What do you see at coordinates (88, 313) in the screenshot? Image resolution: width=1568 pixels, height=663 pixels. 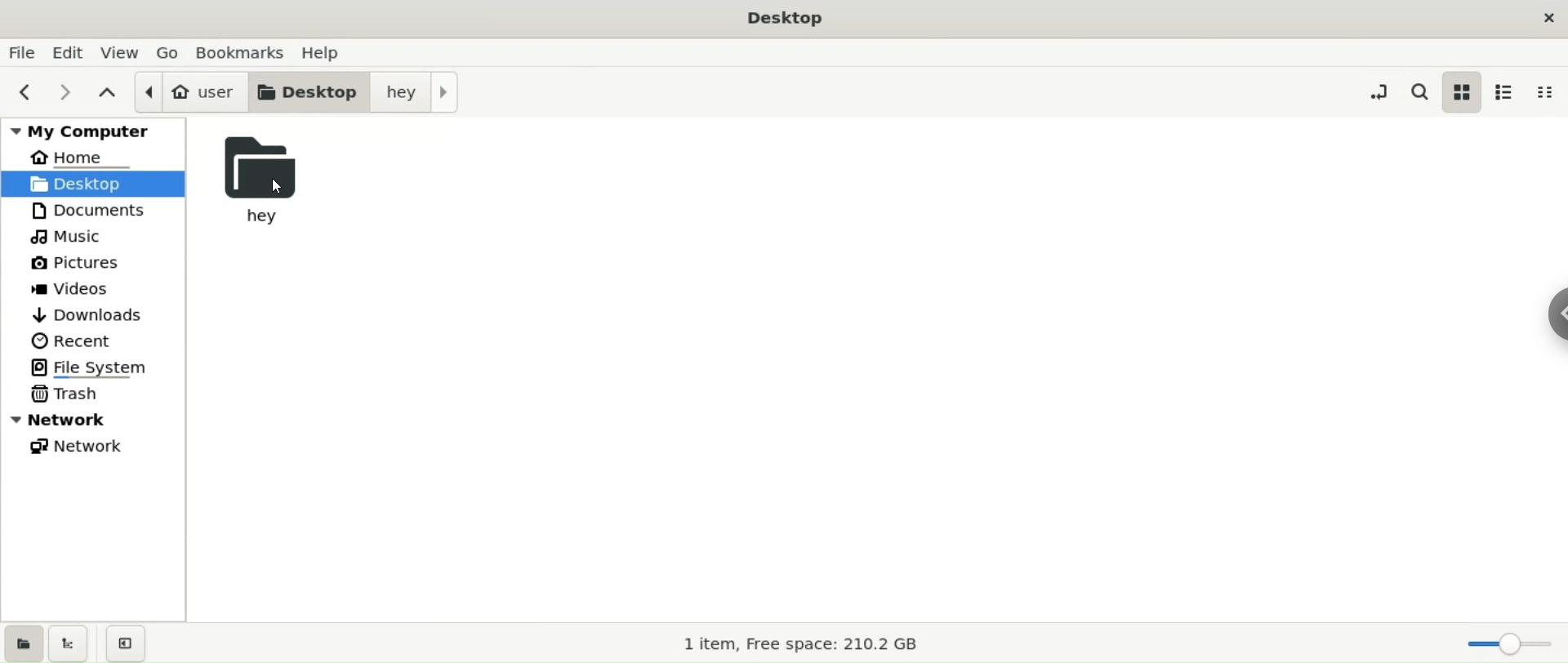 I see `downloads` at bounding box center [88, 313].